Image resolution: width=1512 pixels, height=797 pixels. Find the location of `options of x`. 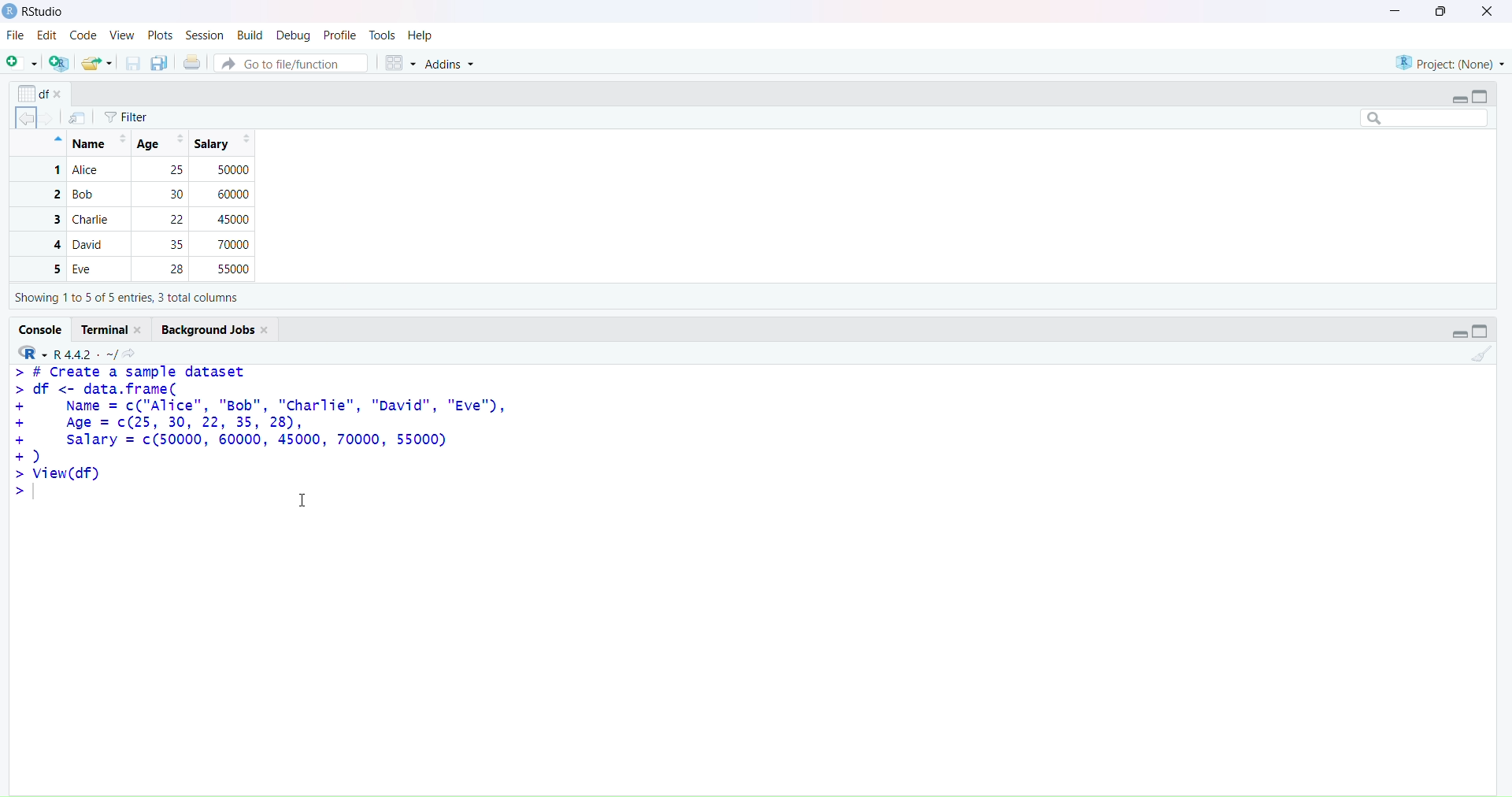

options of x is located at coordinates (44, 95).